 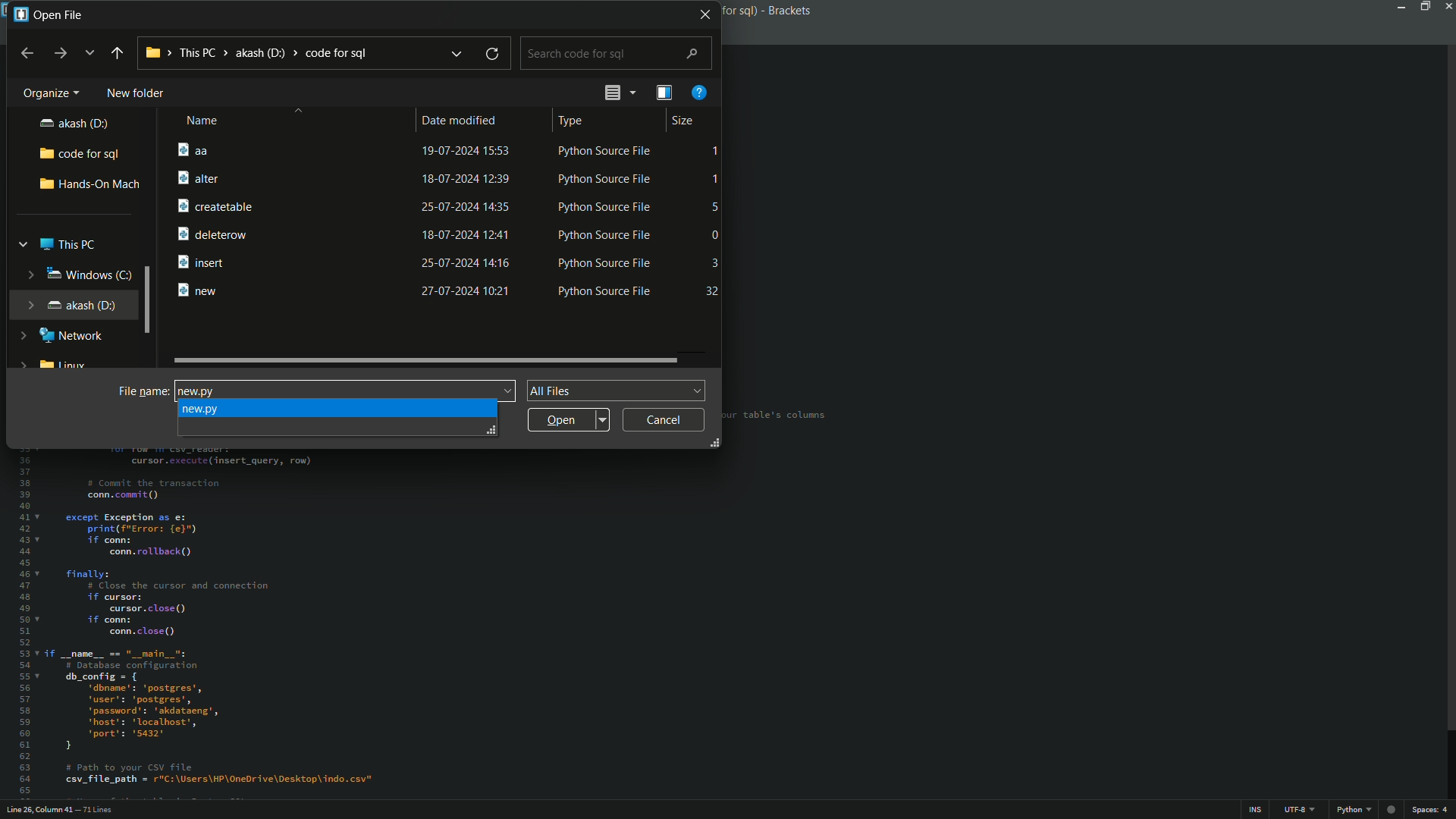 I want to click on new, so click(x=200, y=288).